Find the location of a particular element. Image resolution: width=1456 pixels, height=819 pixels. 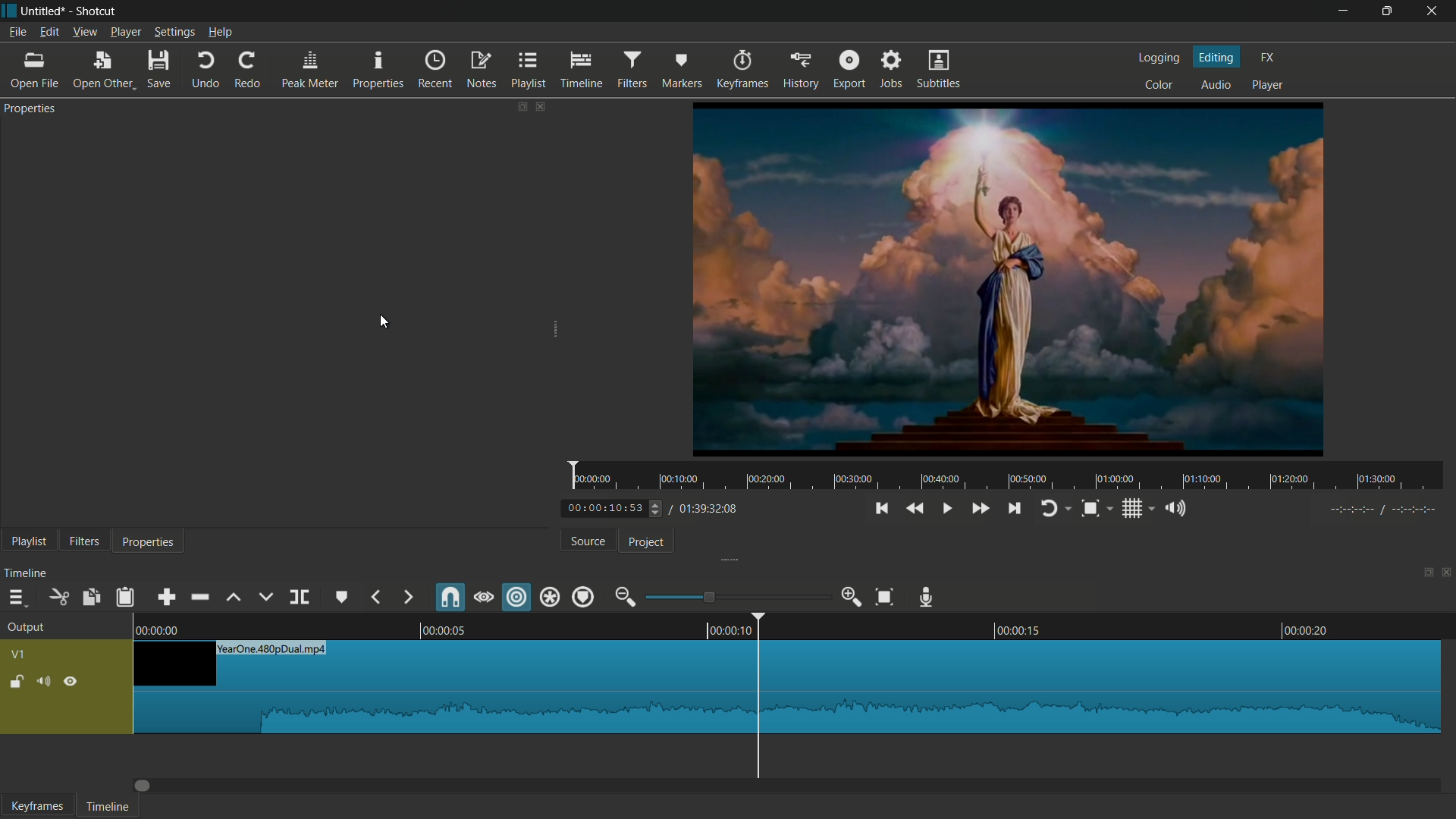

previous marker is located at coordinates (376, 598).